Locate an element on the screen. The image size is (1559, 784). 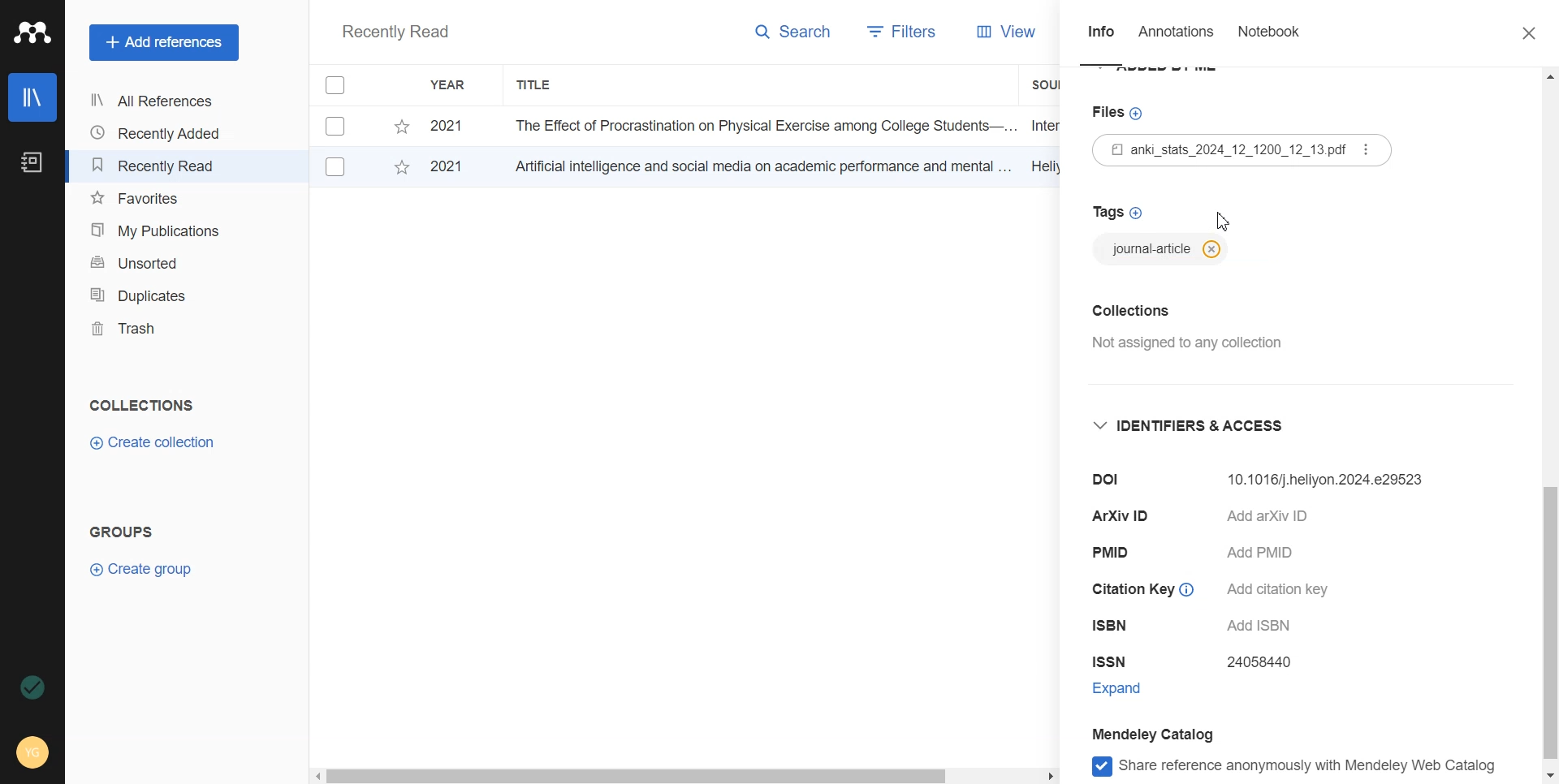
The Effect of Procrastination on Physical Exercise among College Students—... is located at coordinates (759, 125).